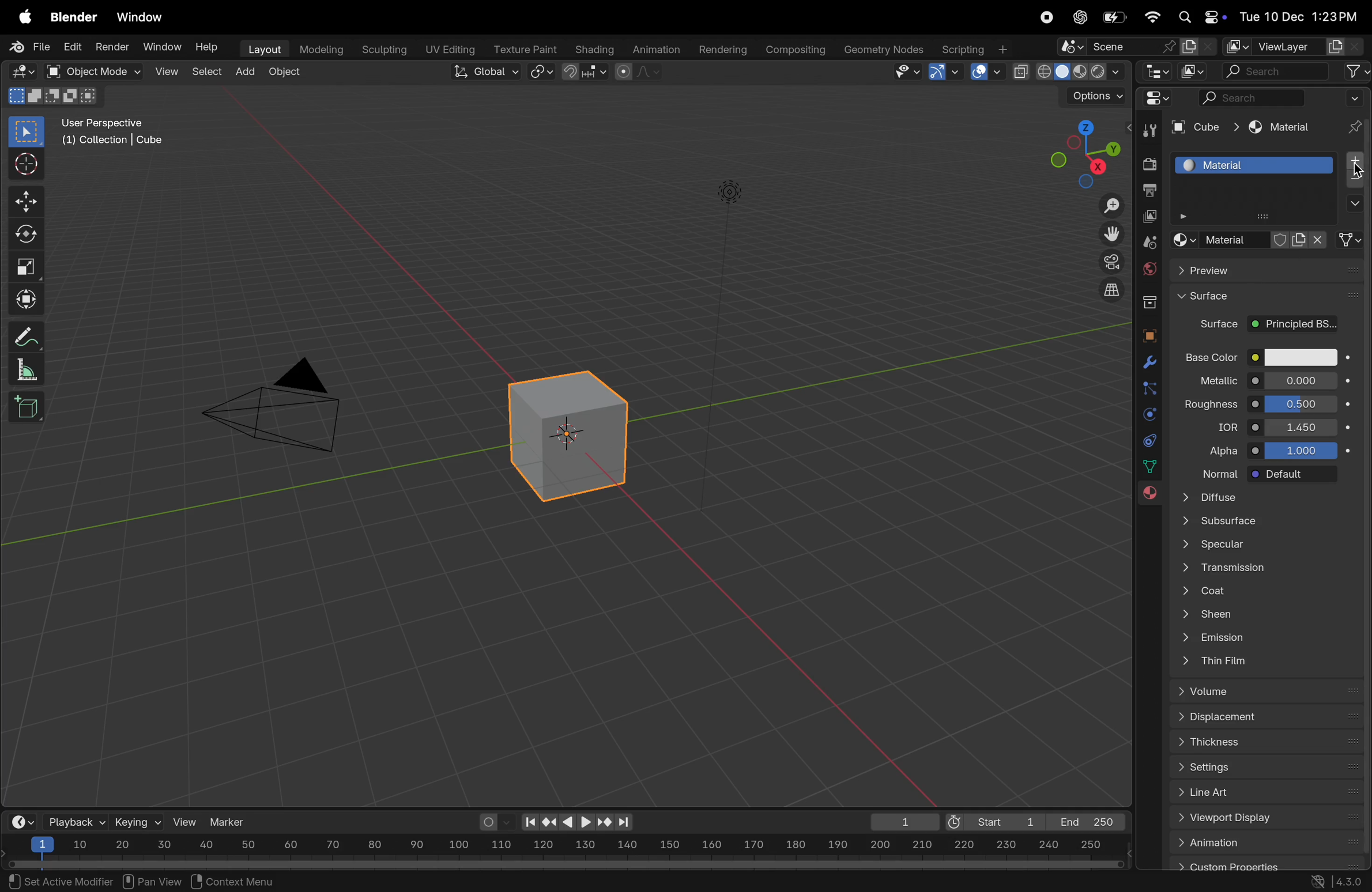 The width and height of the screenshot is (1372, 892). What do you see at coordinates (1149, 387) in the screenshot?
I see `bound` at bounding box center [1149, 387].